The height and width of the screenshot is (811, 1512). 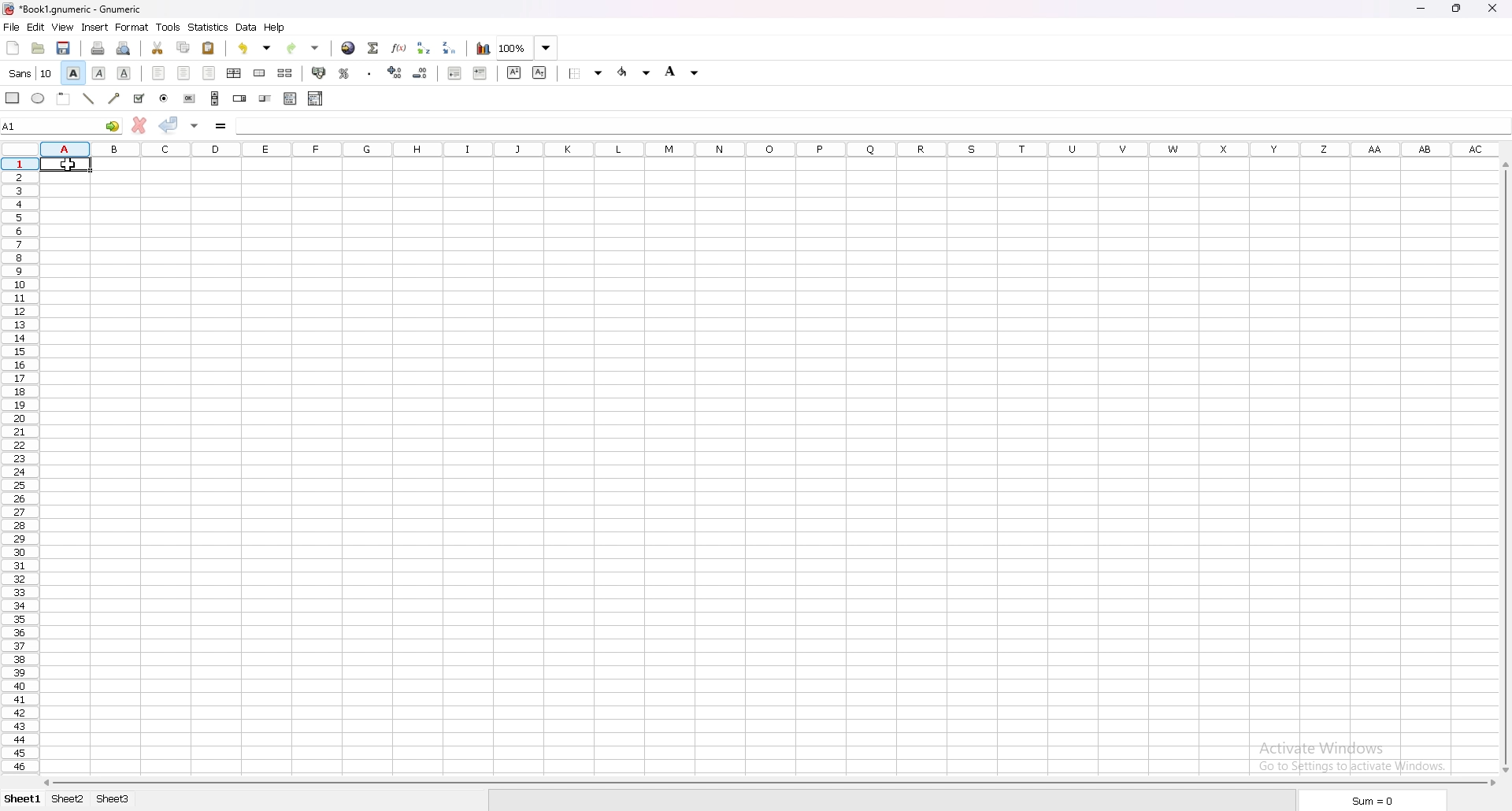 I want to click on foreground, so click(x=681, y=72).